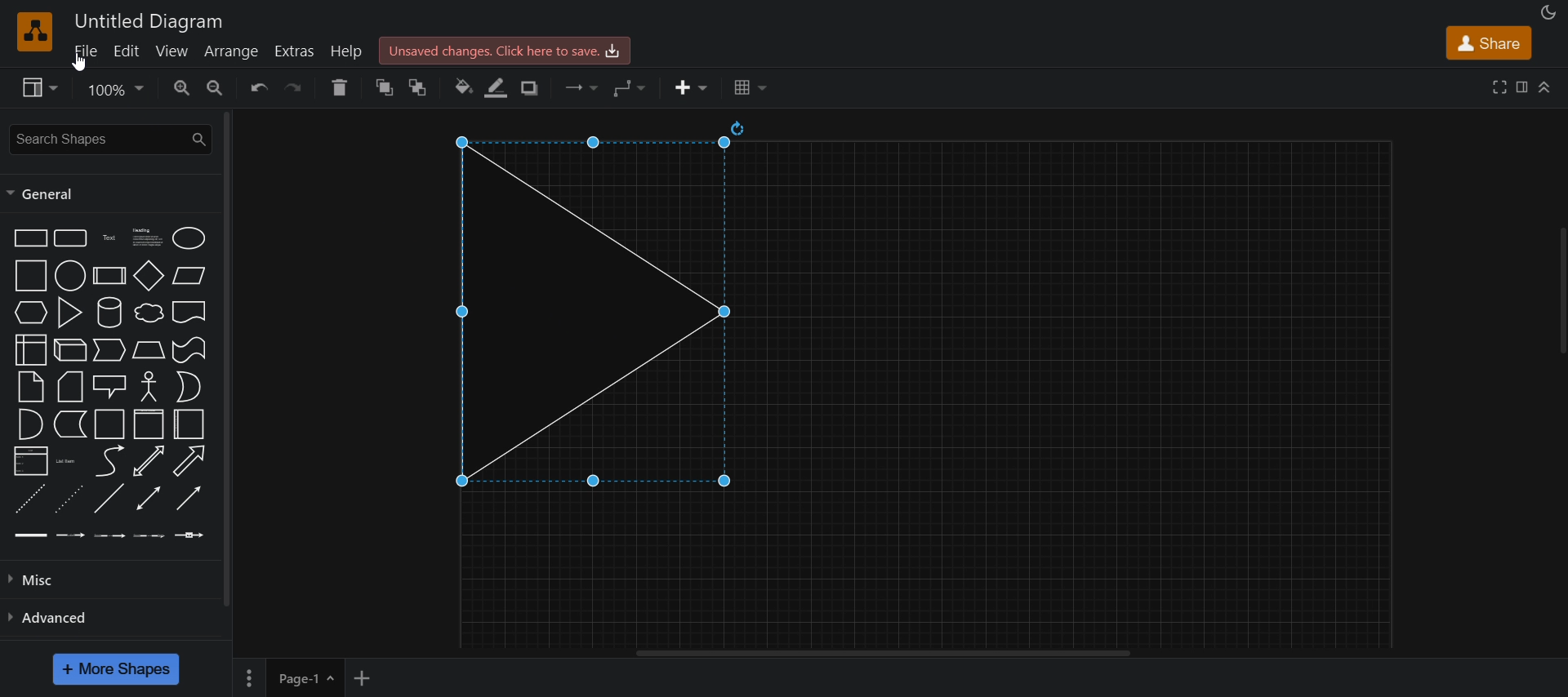 This screenshot has height=697, width=1568. I want to click on line color, so click(498, 87).